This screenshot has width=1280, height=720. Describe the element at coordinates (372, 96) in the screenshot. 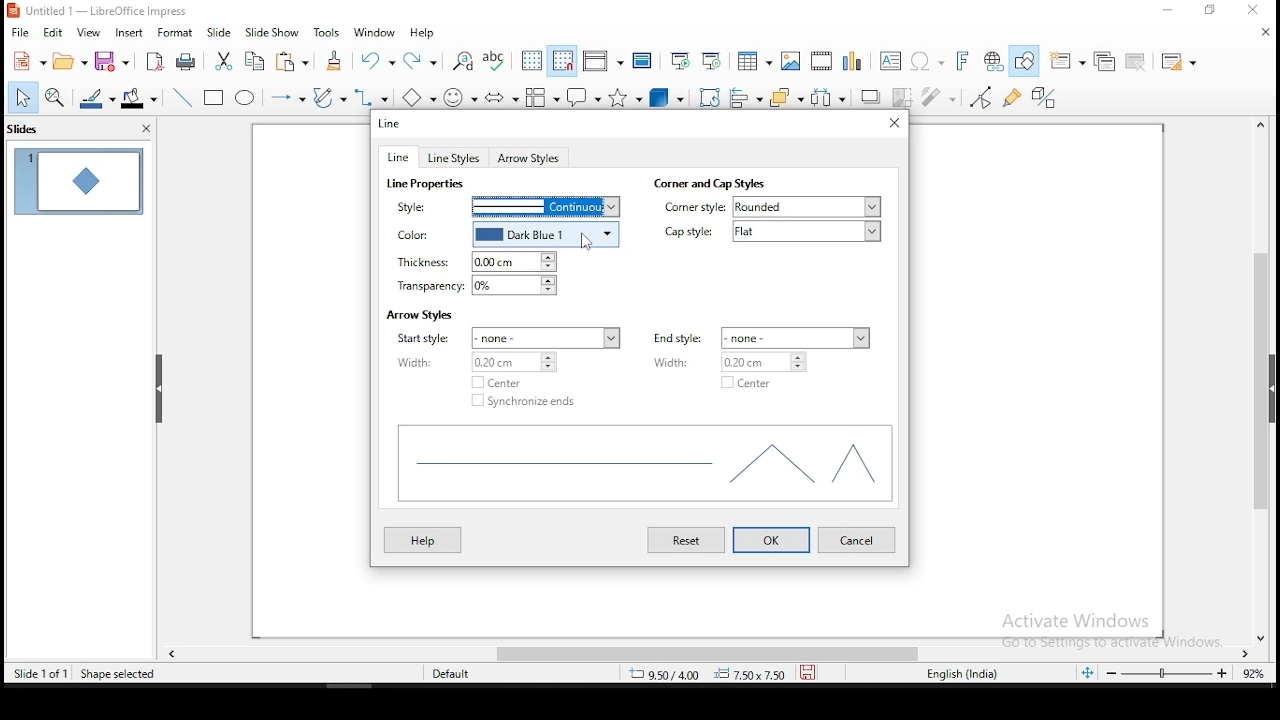

I see `connectors` at that location.